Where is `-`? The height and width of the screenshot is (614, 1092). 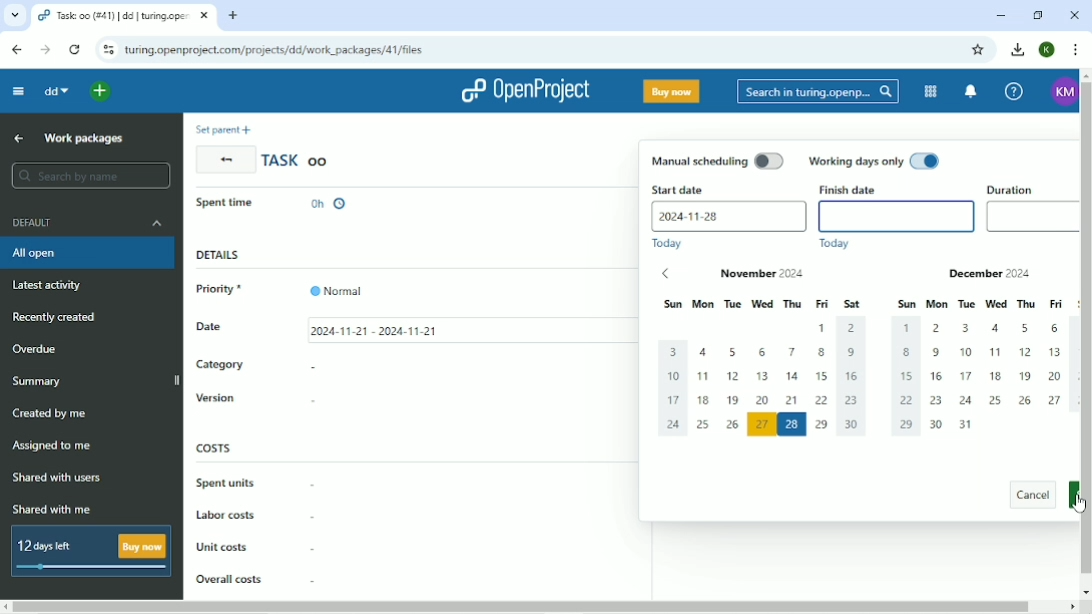 - is located at coordinates (317, 487).